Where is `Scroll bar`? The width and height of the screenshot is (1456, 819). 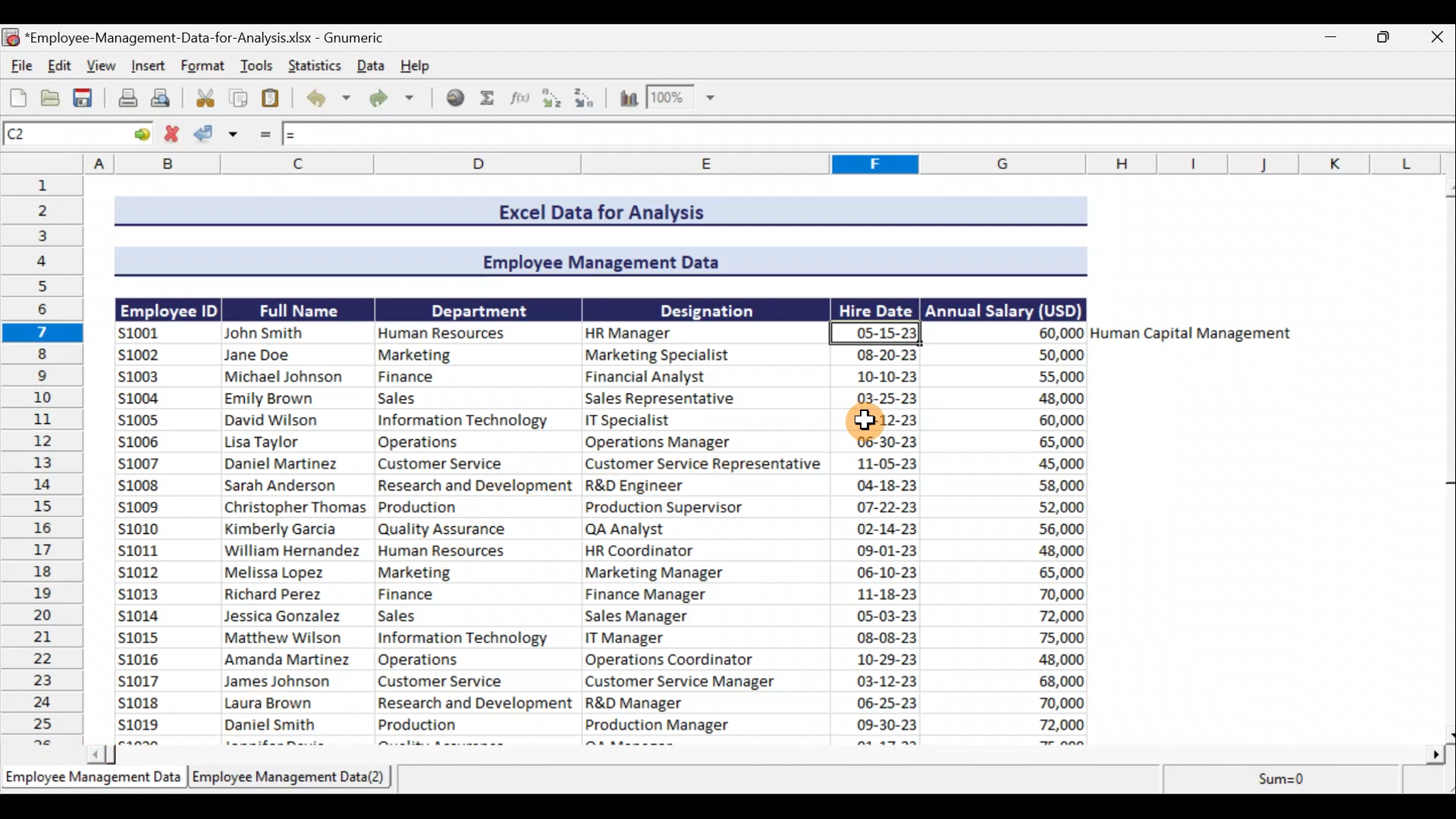 Scroll bar is located at coordinates (763, 755).